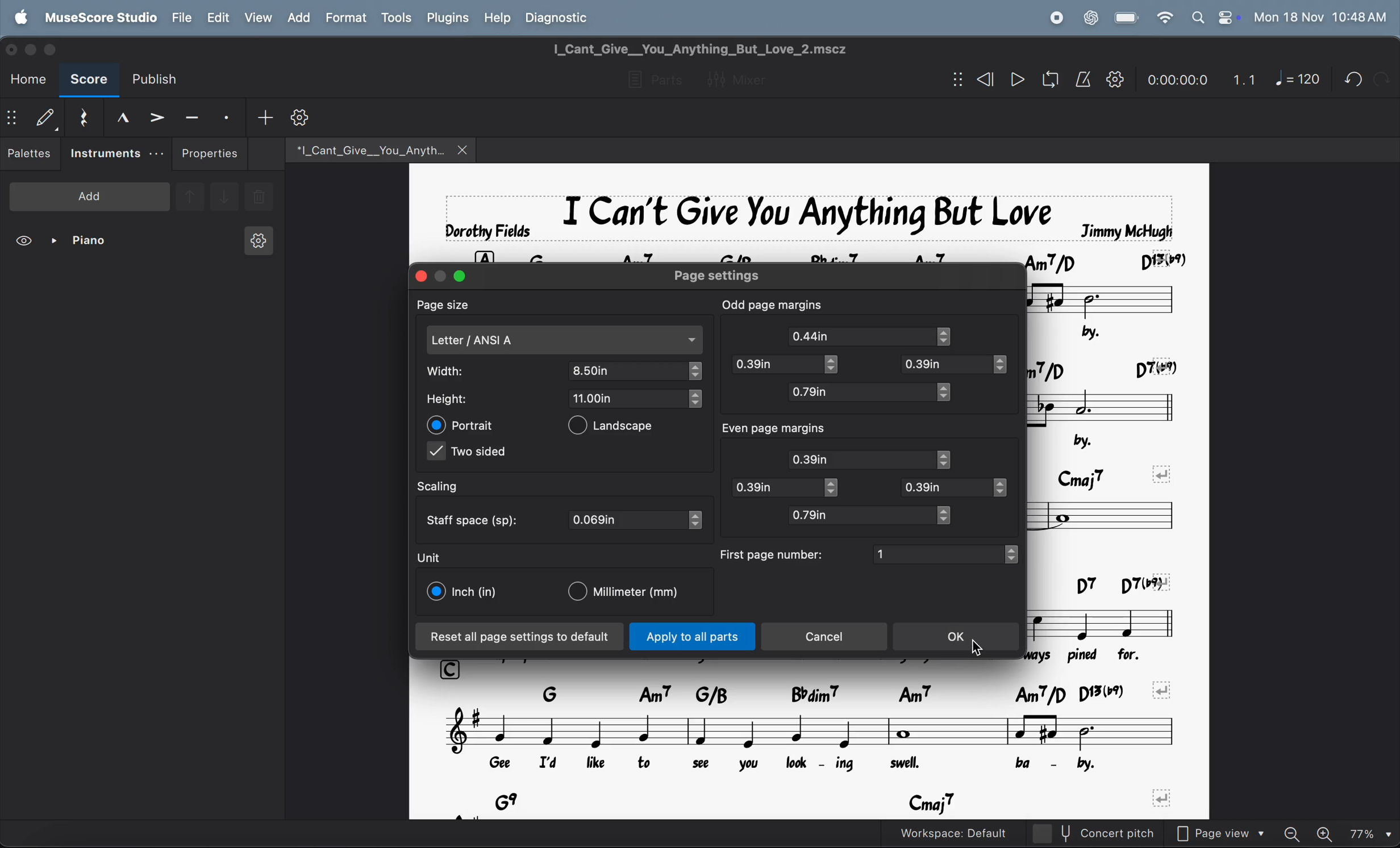  What do you see at coordinates (696, 371) in the screenshot?
I see `toggle` at bounding box center [696, 371].